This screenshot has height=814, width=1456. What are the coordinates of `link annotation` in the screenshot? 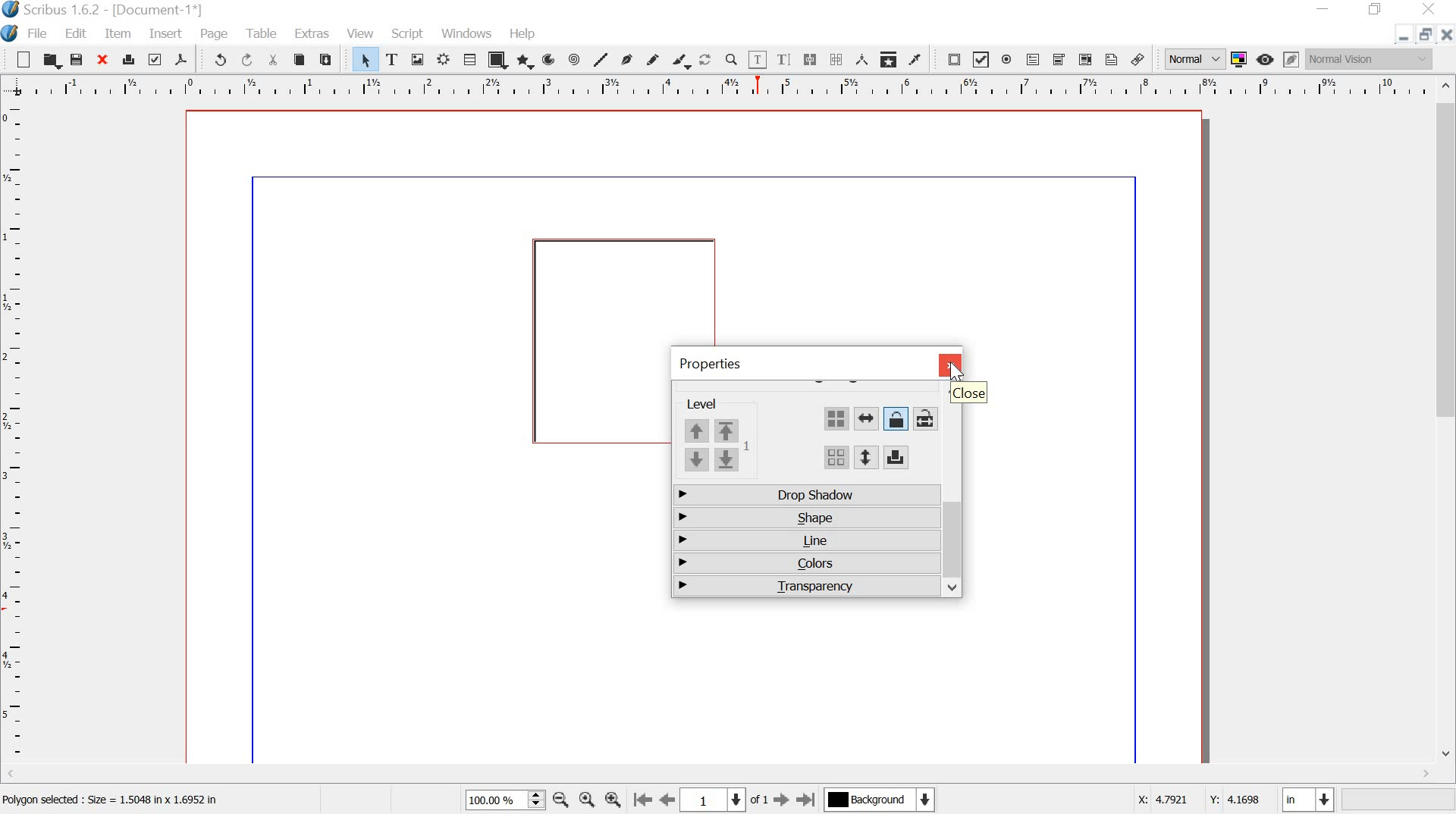 It's located at (1137, 60).